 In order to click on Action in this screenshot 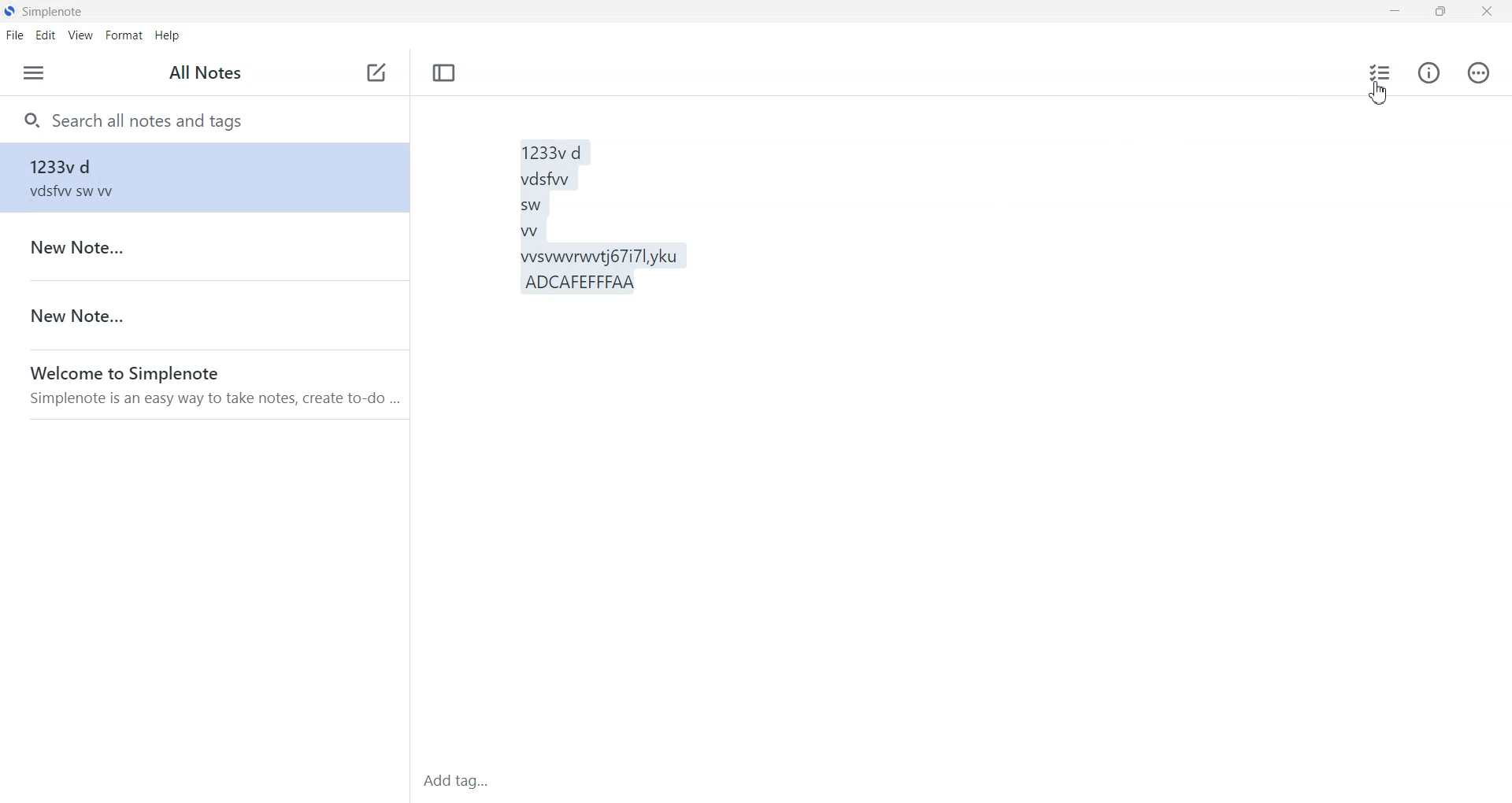, I will do `click(1479, 74)`.